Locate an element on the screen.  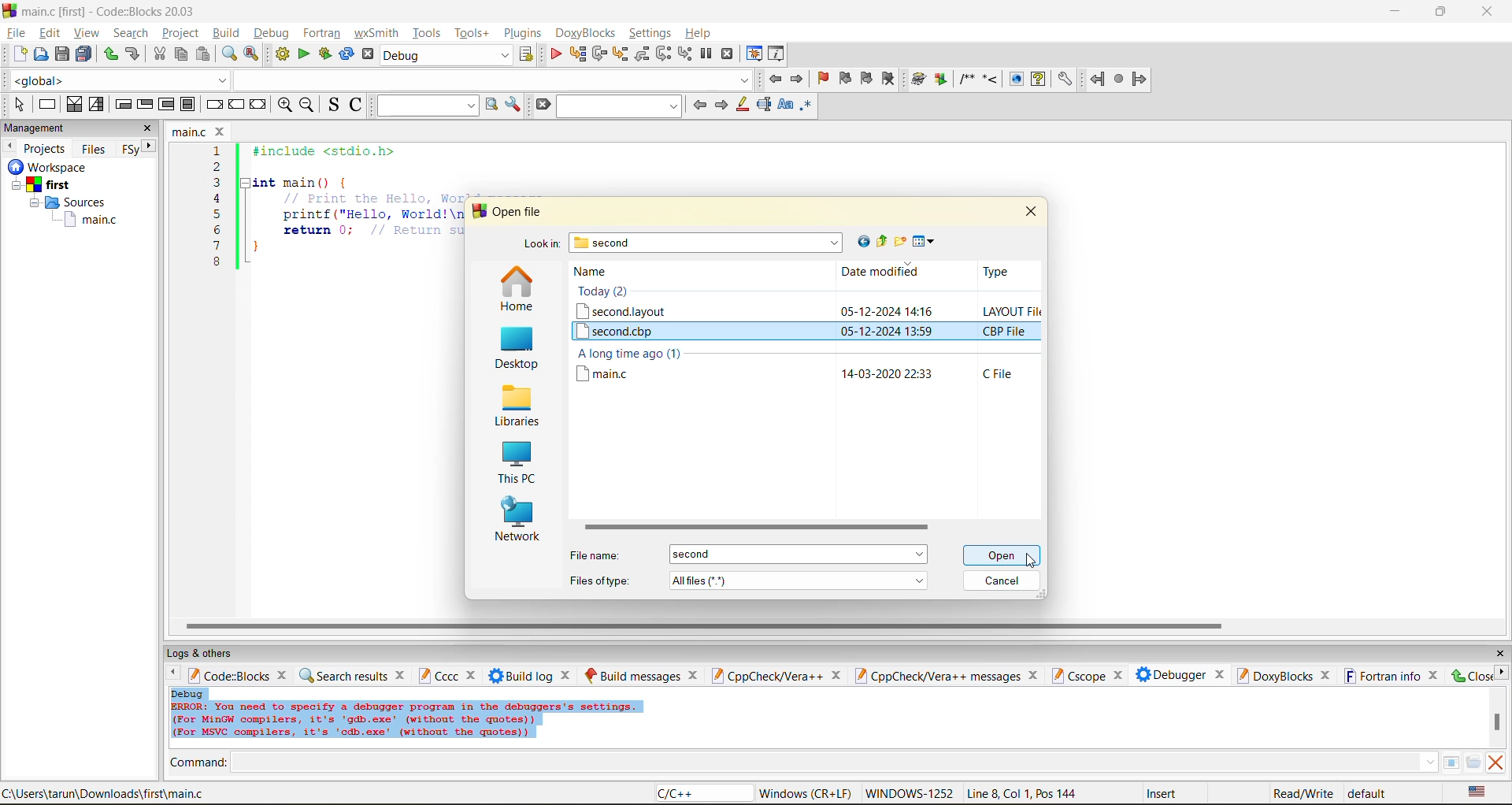
line8, col 1, pos 144 is located at coordinates (1025, 793).